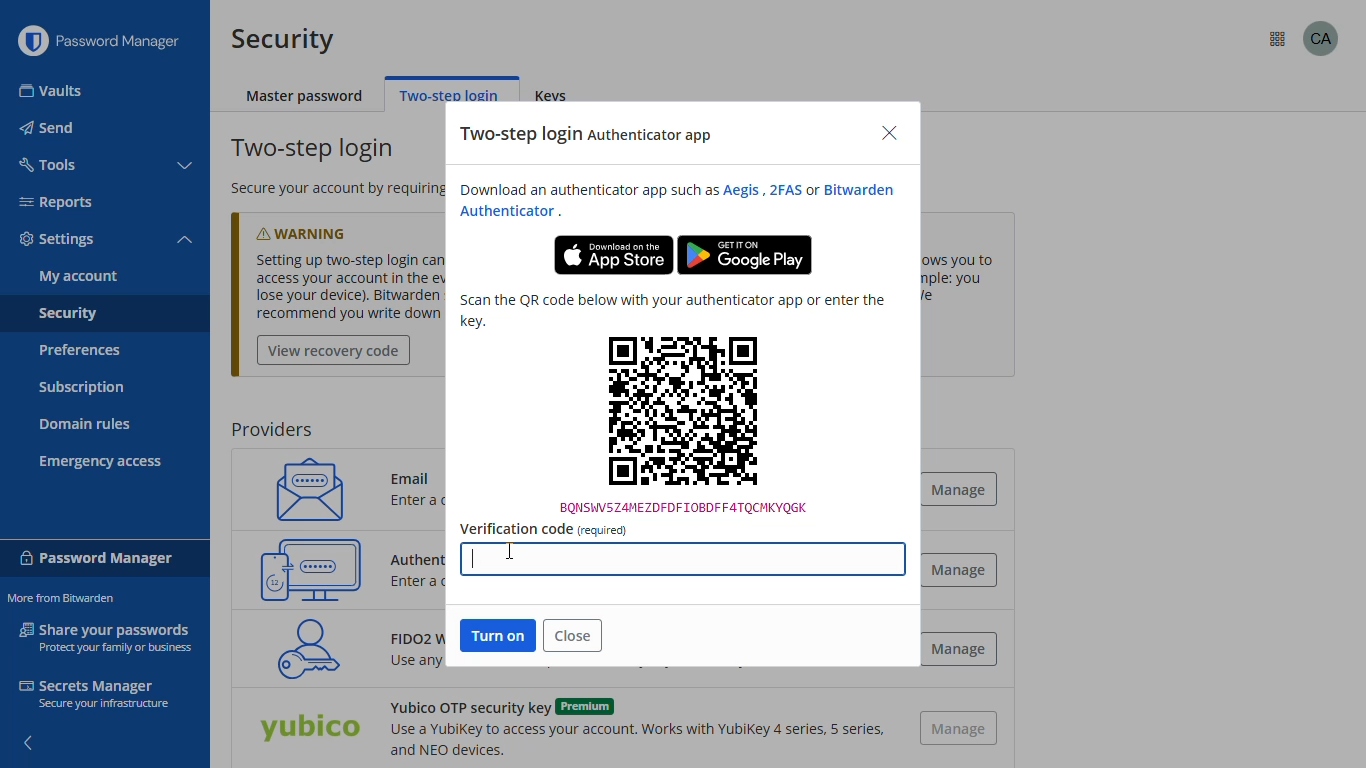 The width and height of the screenshot is (1366, 768). What do you see at coordinates (56, 202) in the screenshot?
I see `reports` at bounding box center [56, 202].